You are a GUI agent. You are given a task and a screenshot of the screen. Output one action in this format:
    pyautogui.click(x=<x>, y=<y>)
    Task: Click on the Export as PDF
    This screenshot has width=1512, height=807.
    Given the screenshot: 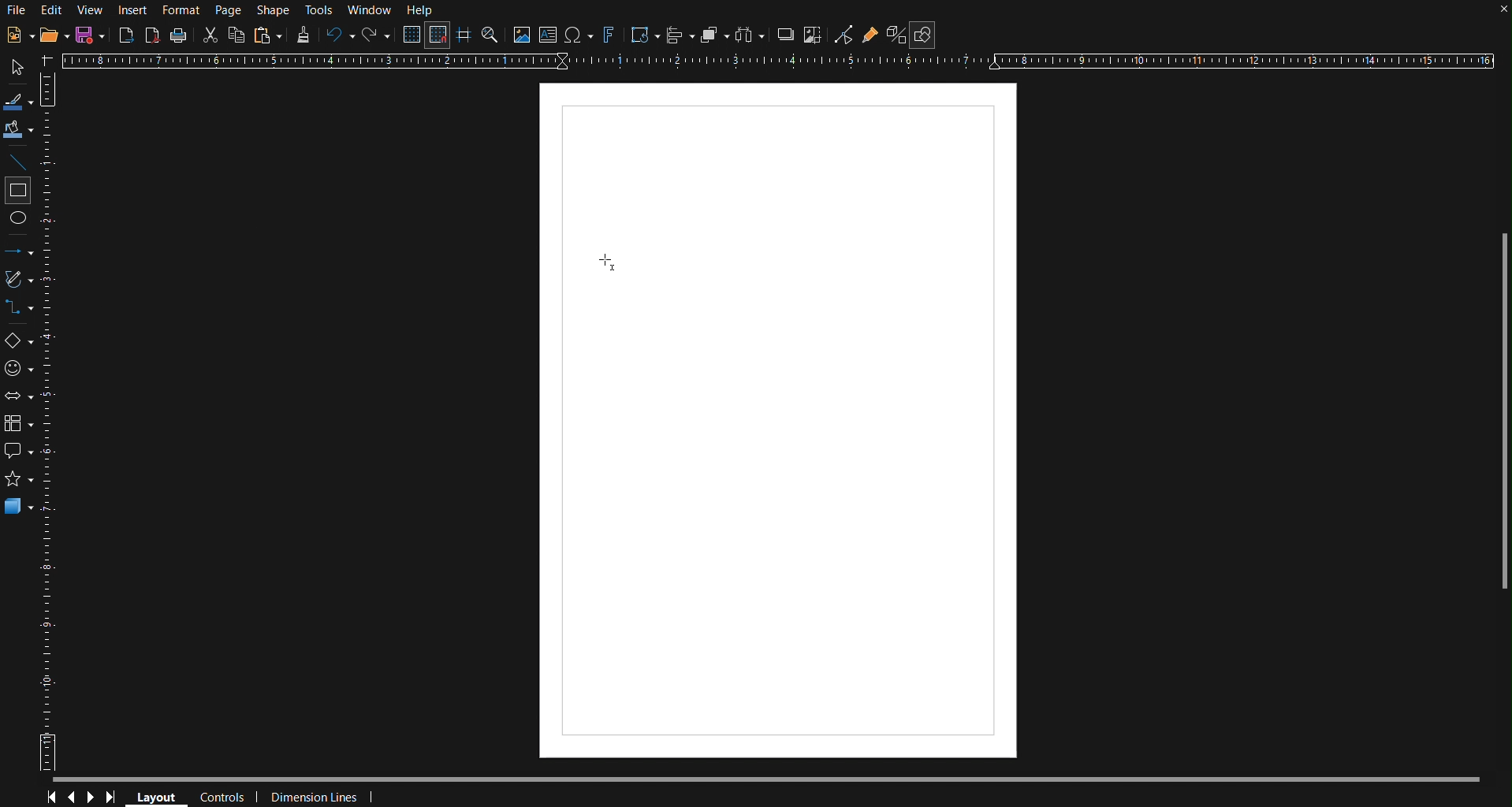 What is the action you would take?
    pyautogui.click(x=152, y=35)
    